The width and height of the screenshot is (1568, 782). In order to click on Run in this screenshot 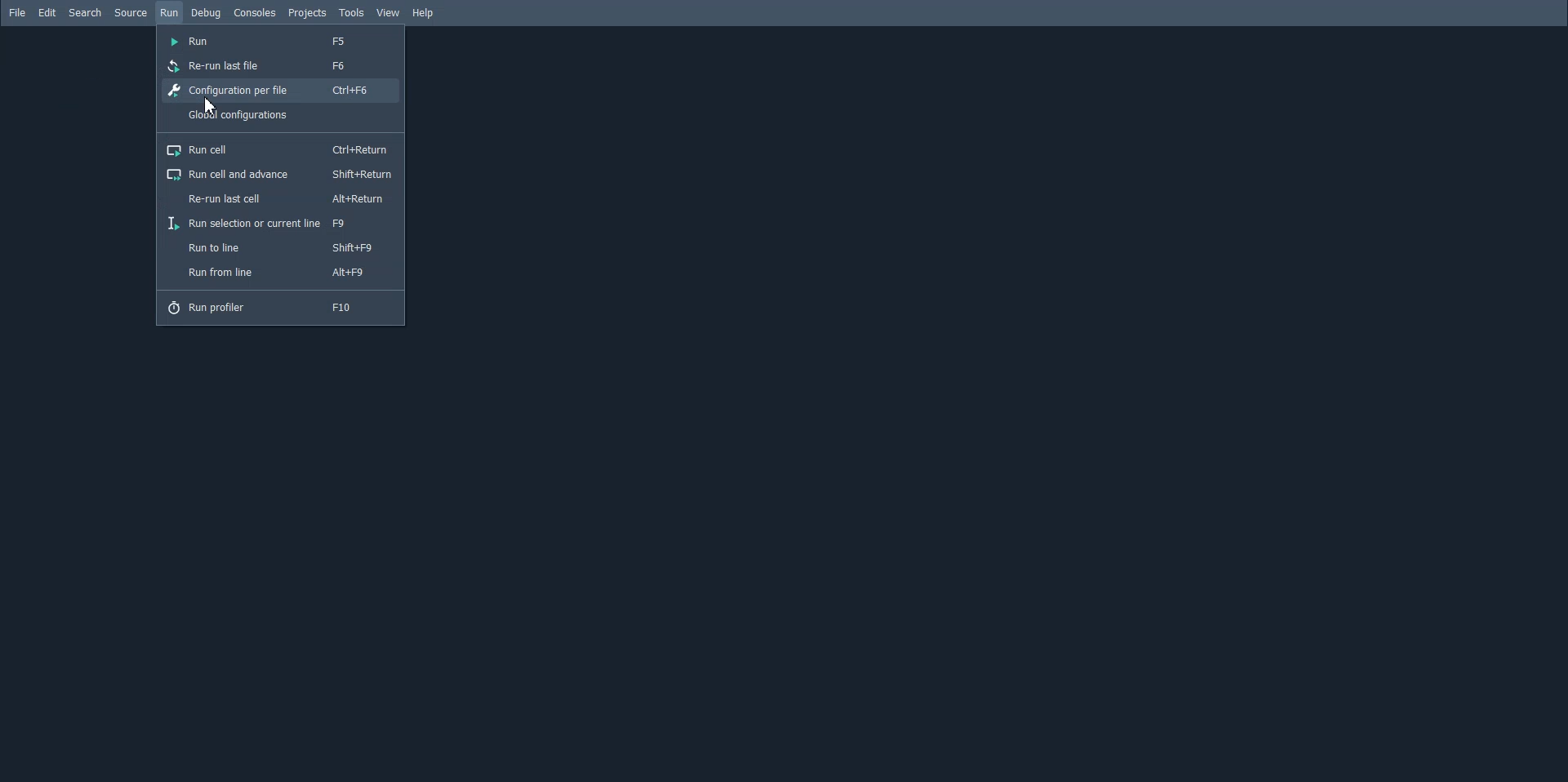, I will do `click(276, 41)`.